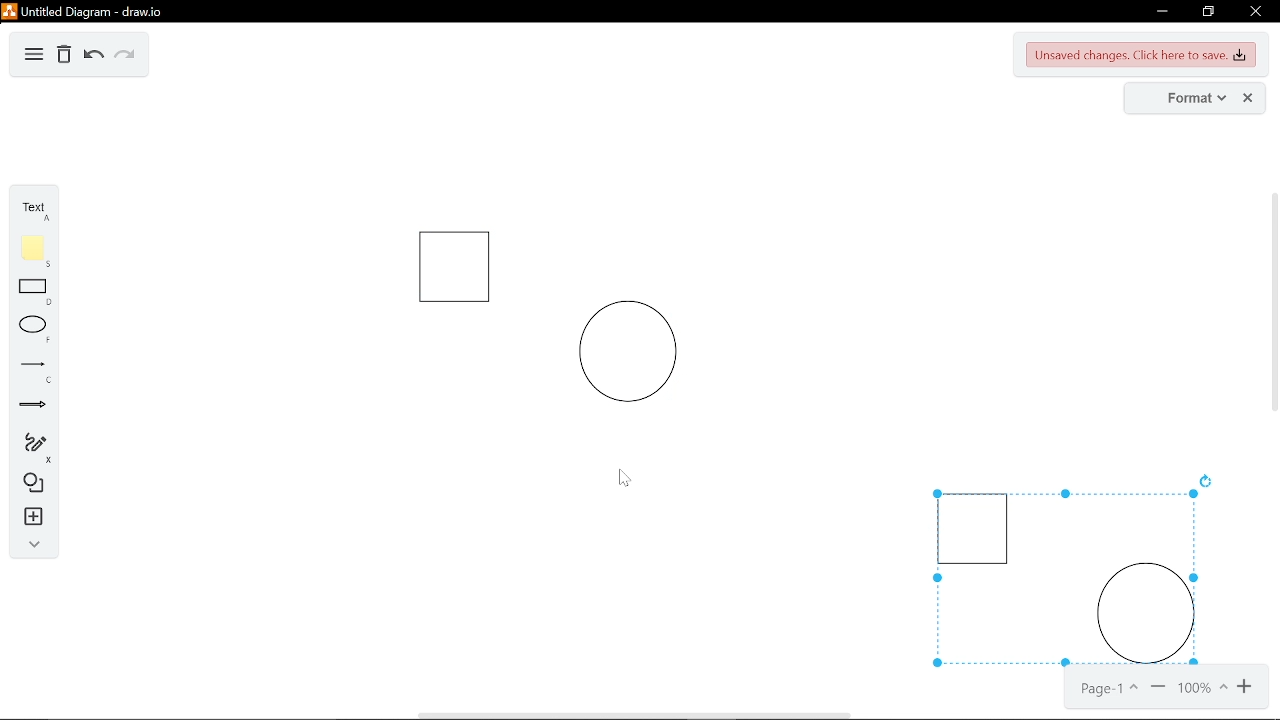 This screenshot has height=720, width=1280. Describe the element at coordinates (1208, 480) in the screenshot. I see `rotate diagram` at that location.